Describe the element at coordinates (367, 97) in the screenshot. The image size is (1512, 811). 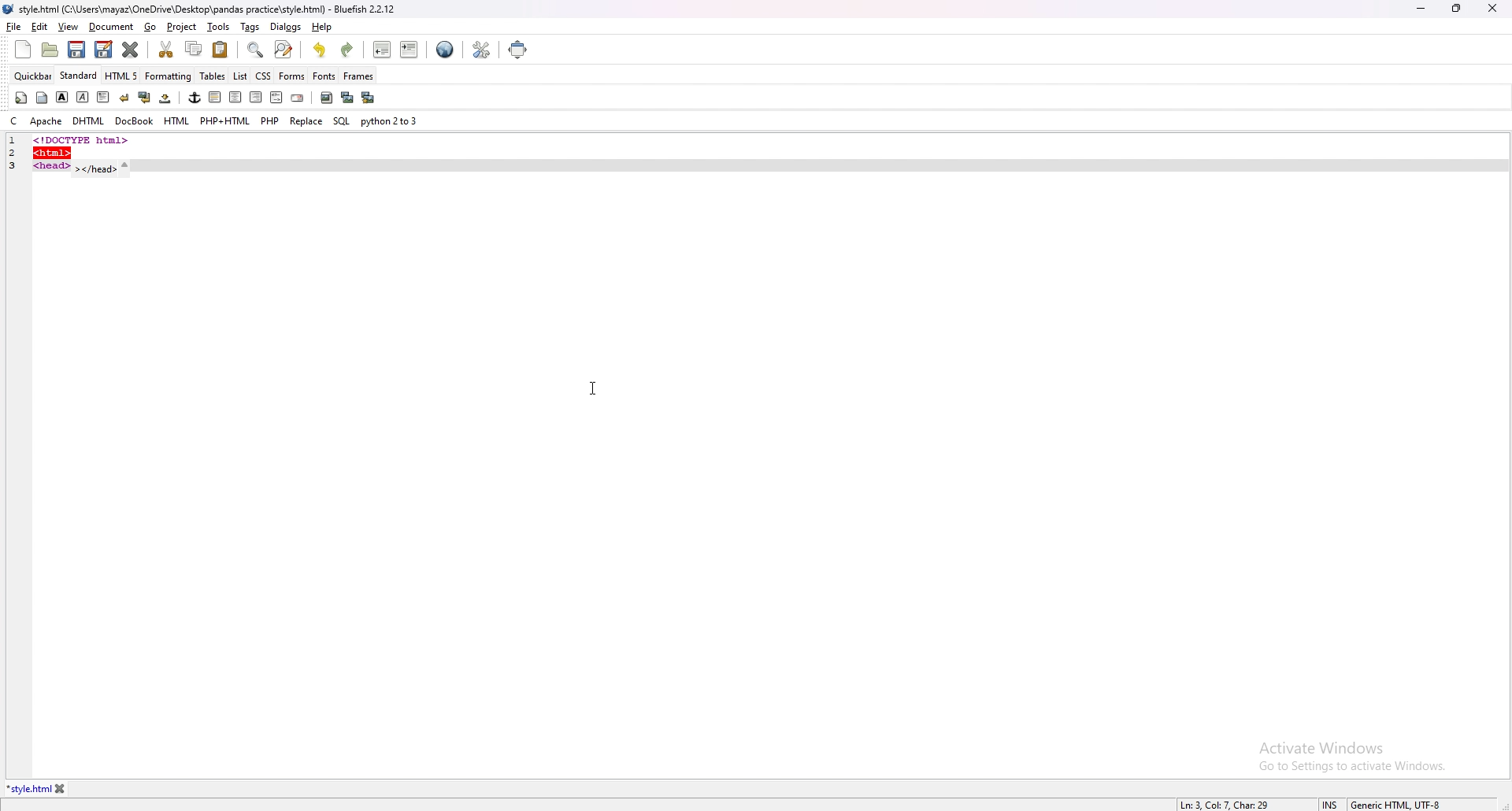
I see `multi thumbnail` at that location.